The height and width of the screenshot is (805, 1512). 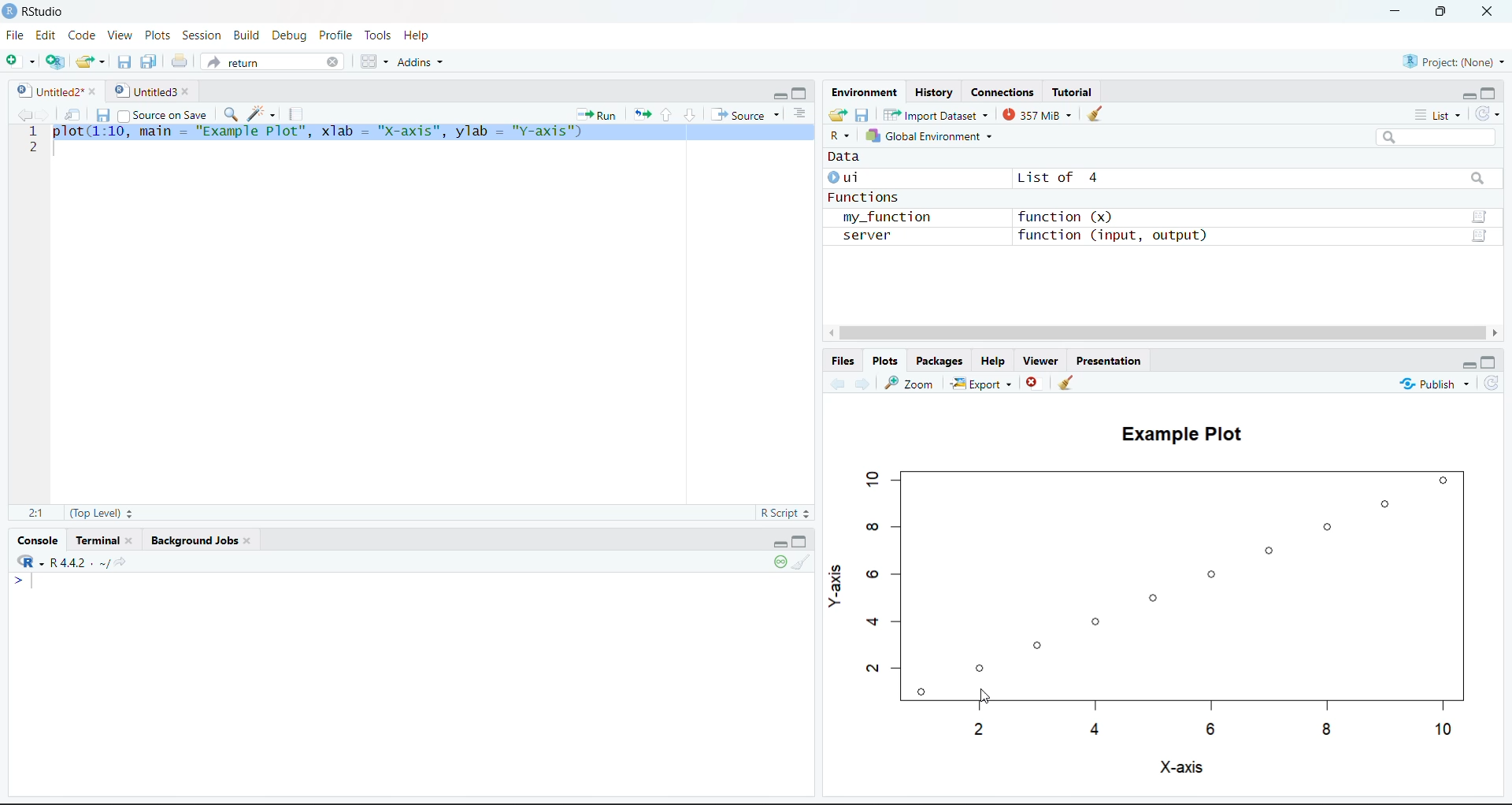 I want to click on Session suspend timeout, so click(x=782, y=563).